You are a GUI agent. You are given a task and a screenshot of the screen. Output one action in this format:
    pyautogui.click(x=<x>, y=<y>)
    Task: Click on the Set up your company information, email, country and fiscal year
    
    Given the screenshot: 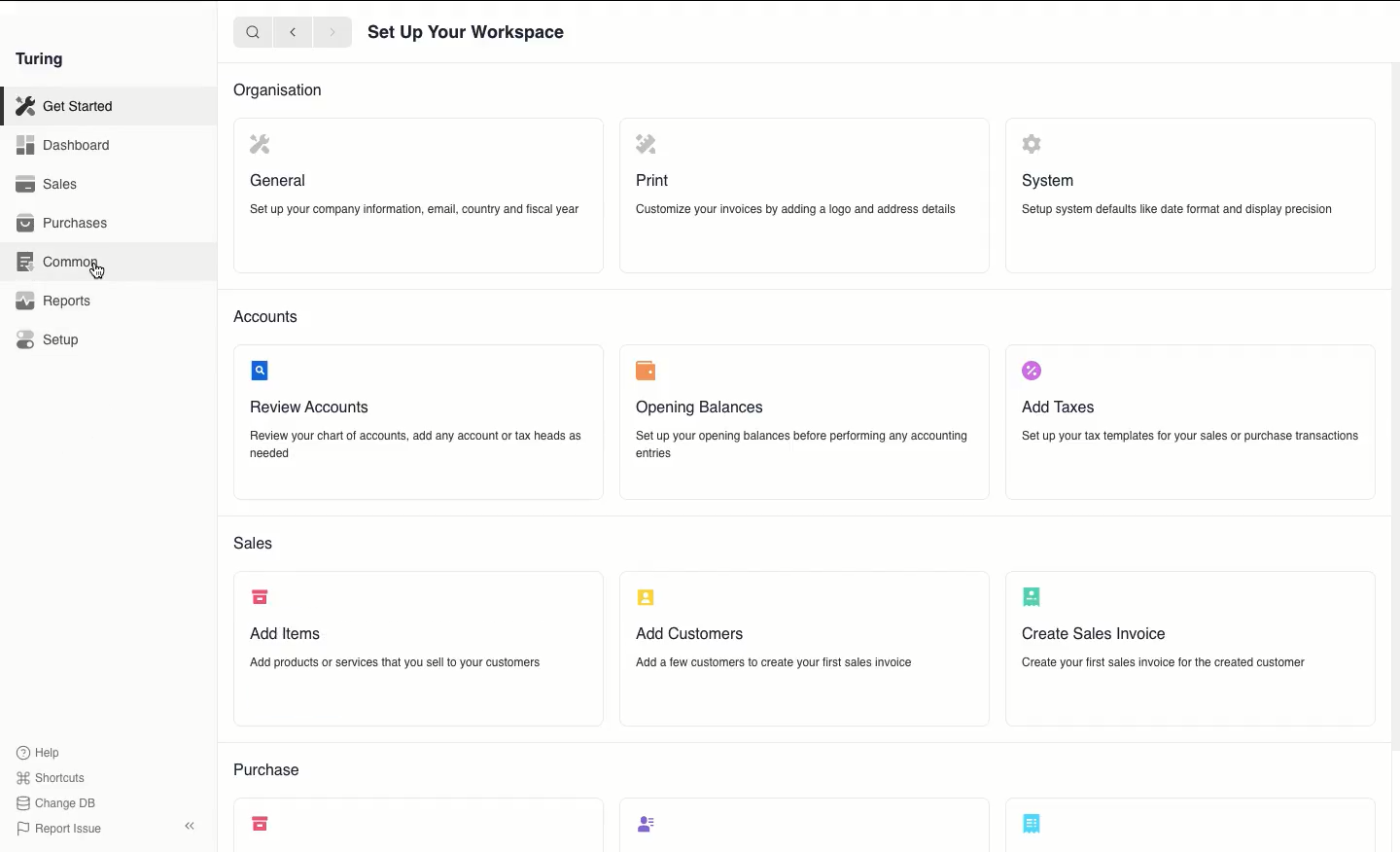 What is the action you would take?
    pyautogui.click(x=411, y=209)
    